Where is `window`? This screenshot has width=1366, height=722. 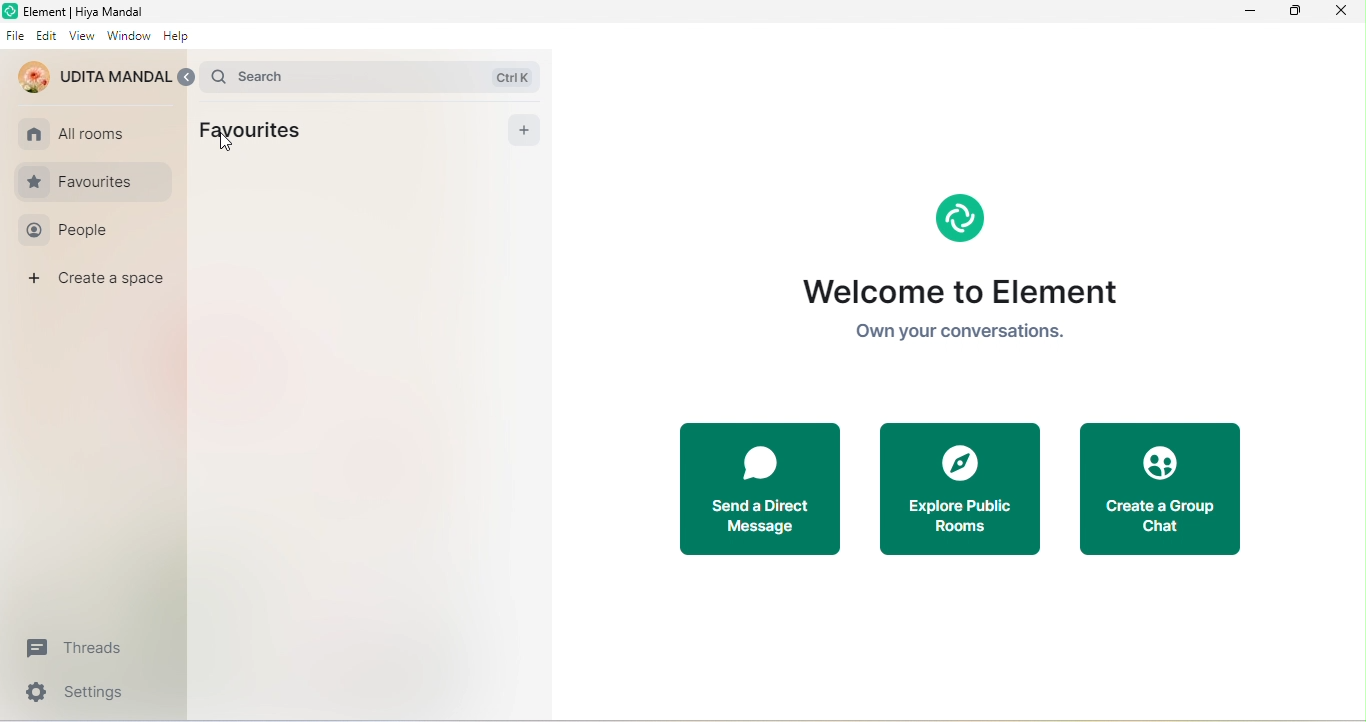 window is located at coordinates (127, 39).